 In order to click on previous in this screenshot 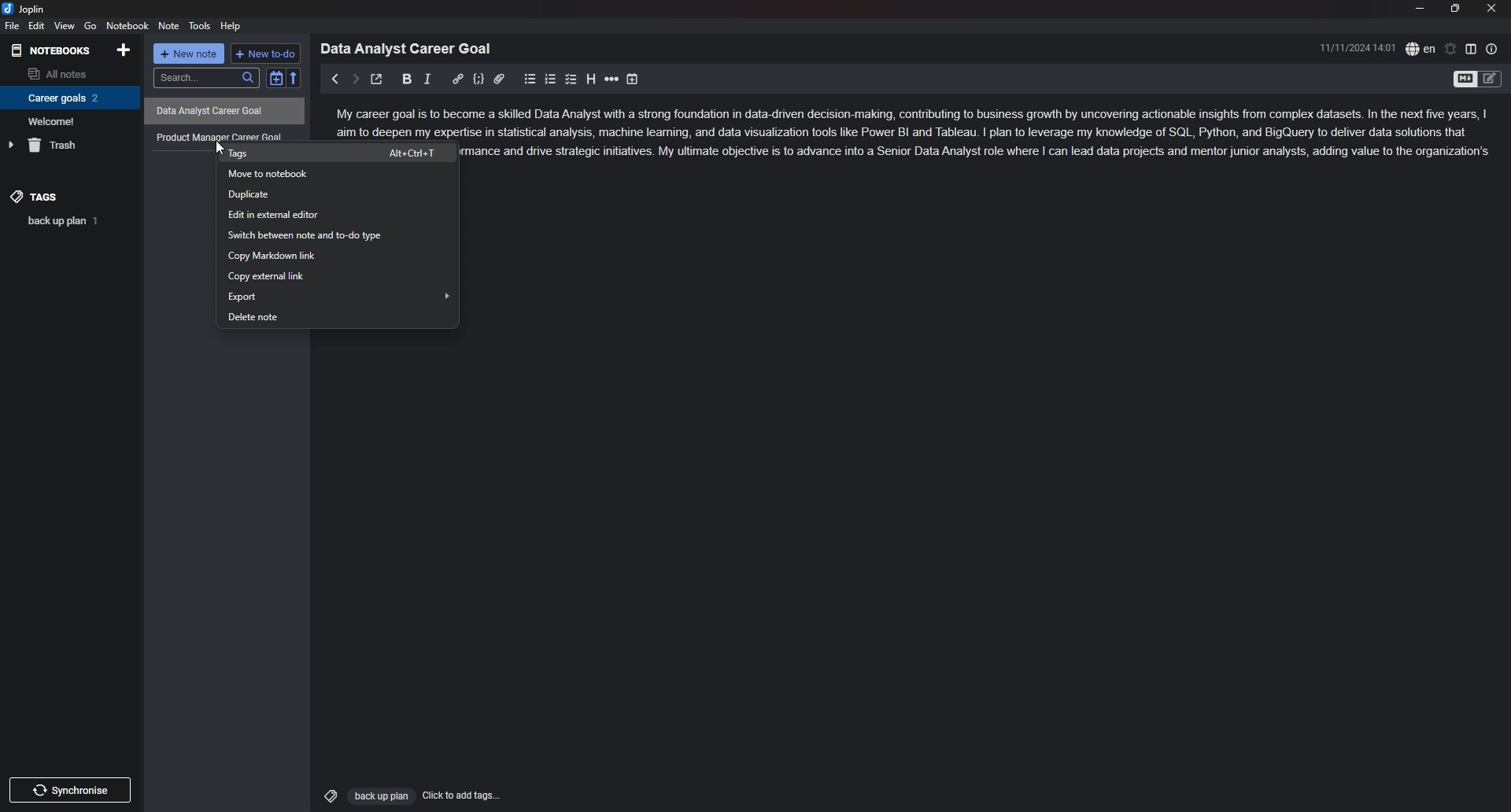, I will do `click(334, 79)`.